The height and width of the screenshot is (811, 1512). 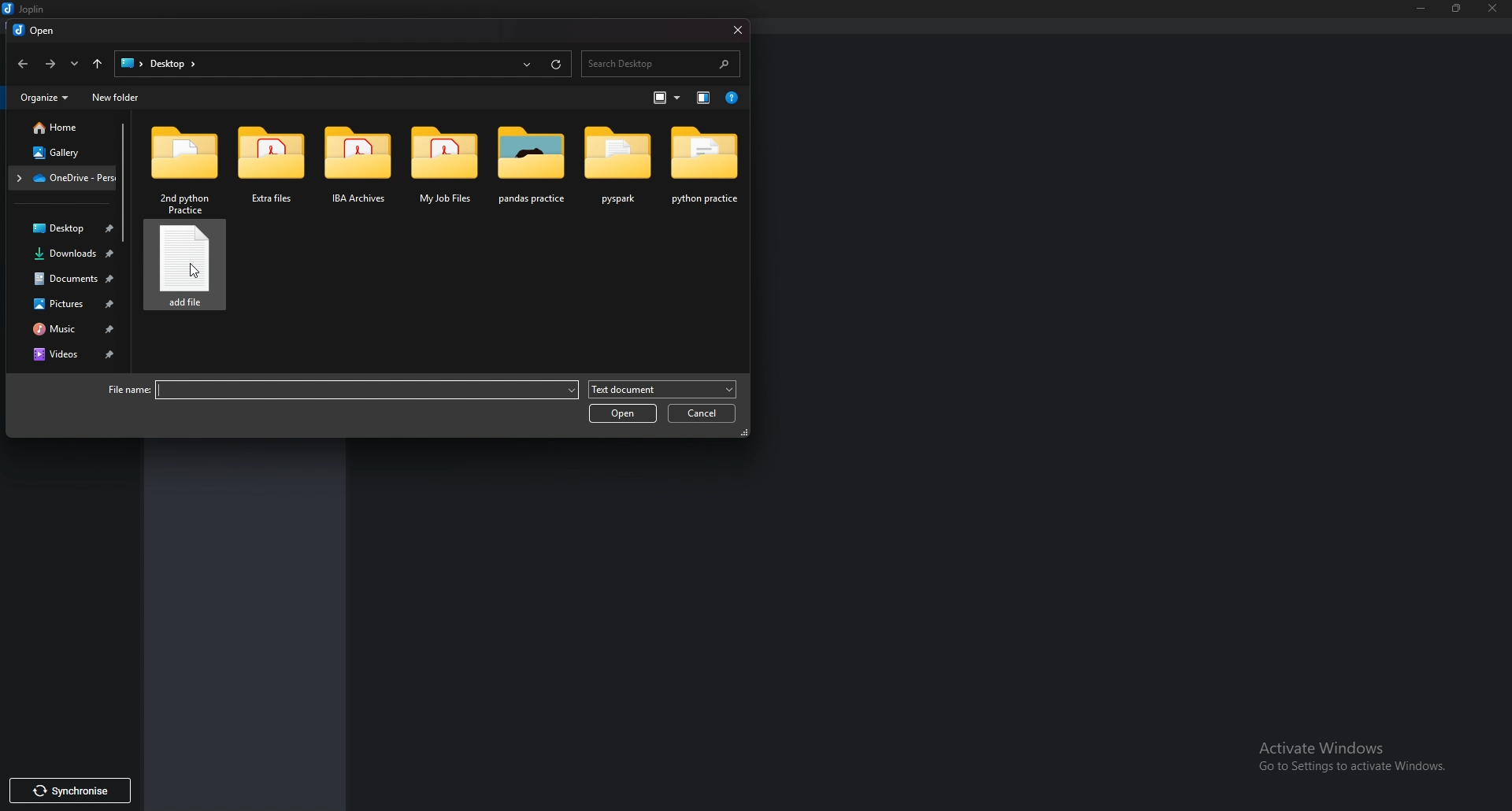 What do you see at coordinates (184, 266) in the screenshot?
I see `Text file` at bounding box center [184, 266].